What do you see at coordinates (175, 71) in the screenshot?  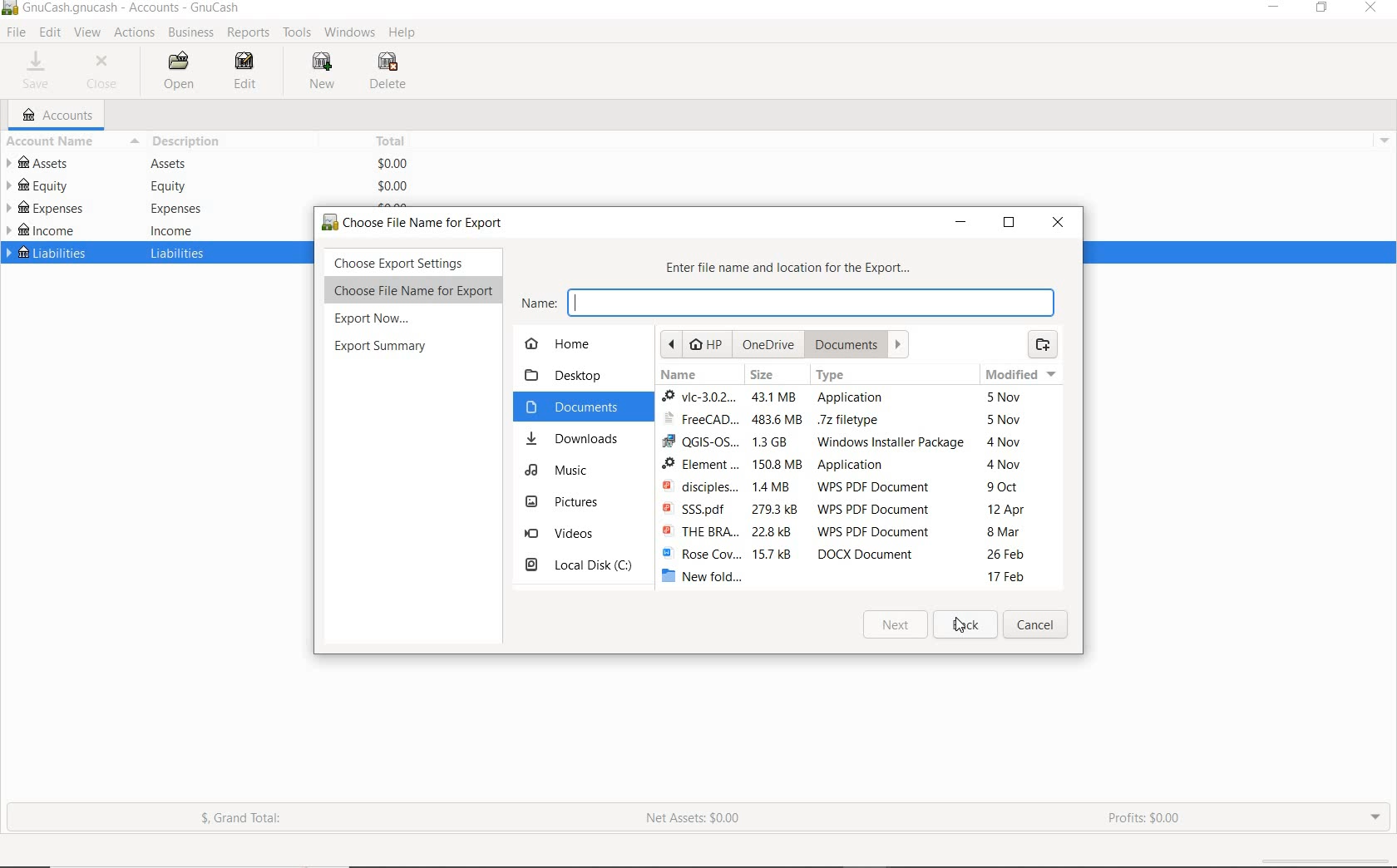 I see `OPEN` at bounding box center [175, 71].